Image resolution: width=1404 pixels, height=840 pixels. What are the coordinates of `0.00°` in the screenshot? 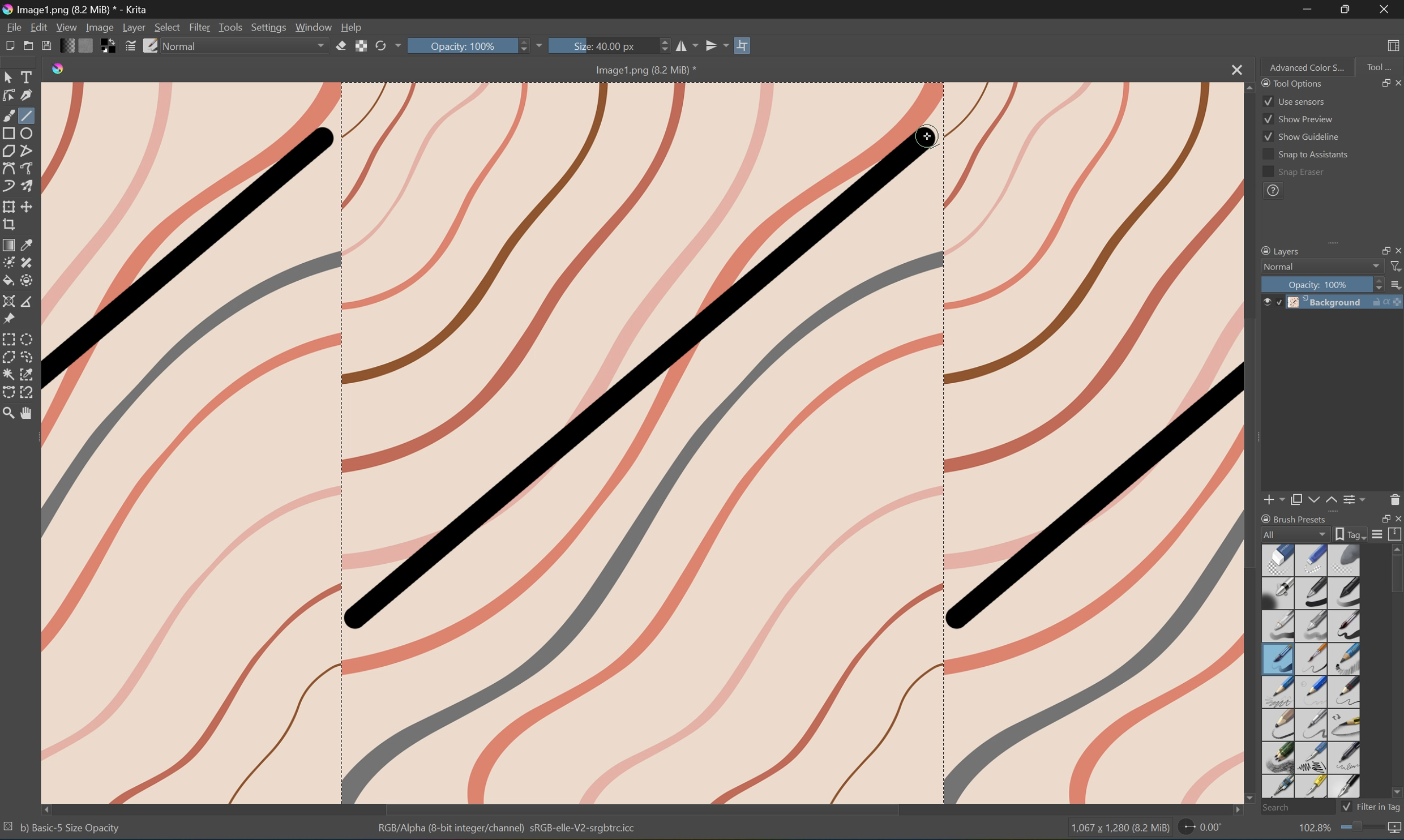 It's located at (1200, 829).